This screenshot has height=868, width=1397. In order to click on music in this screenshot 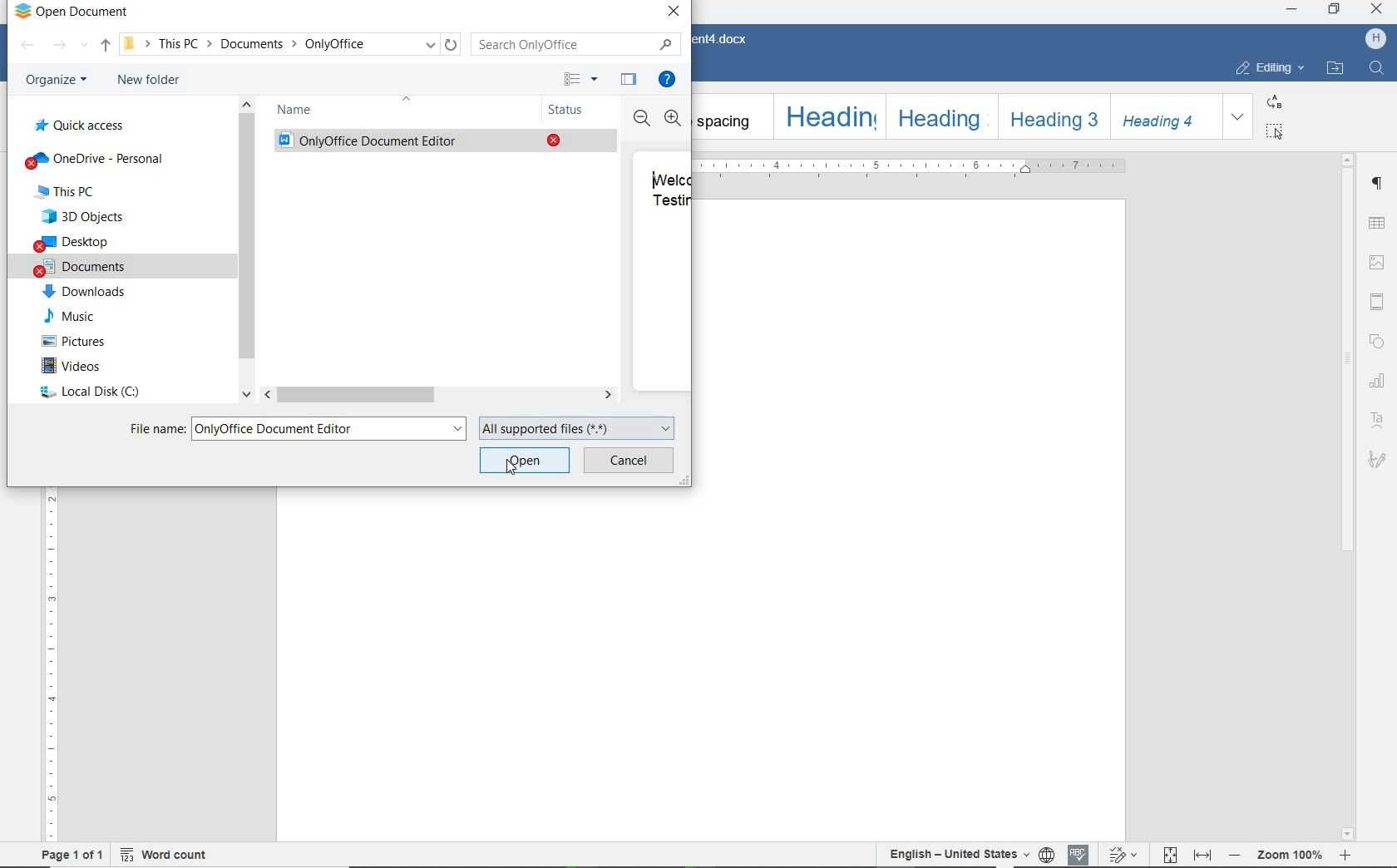, I will do `click(63, 316)`.